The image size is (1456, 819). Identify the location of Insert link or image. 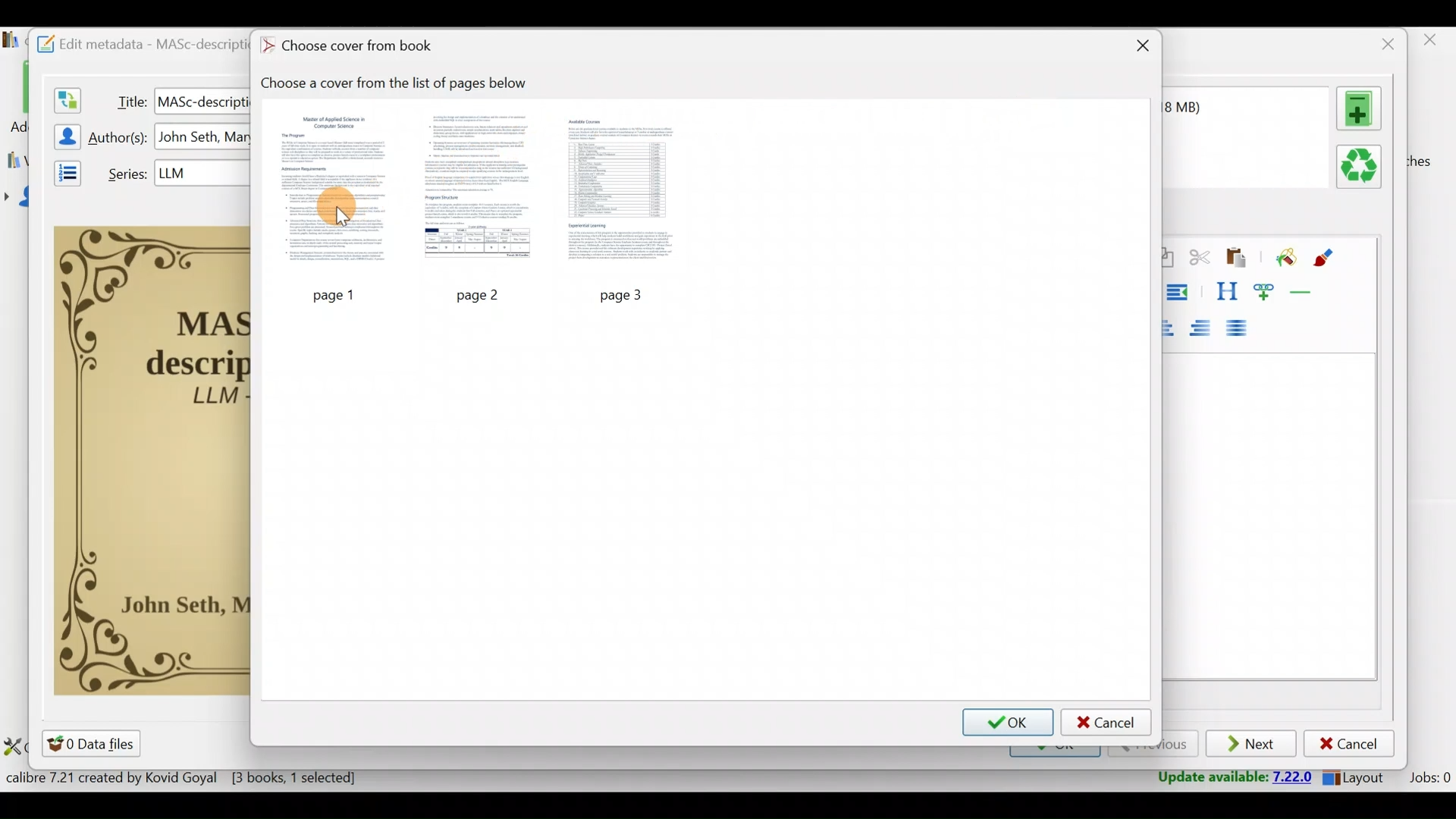
(1267, 291).